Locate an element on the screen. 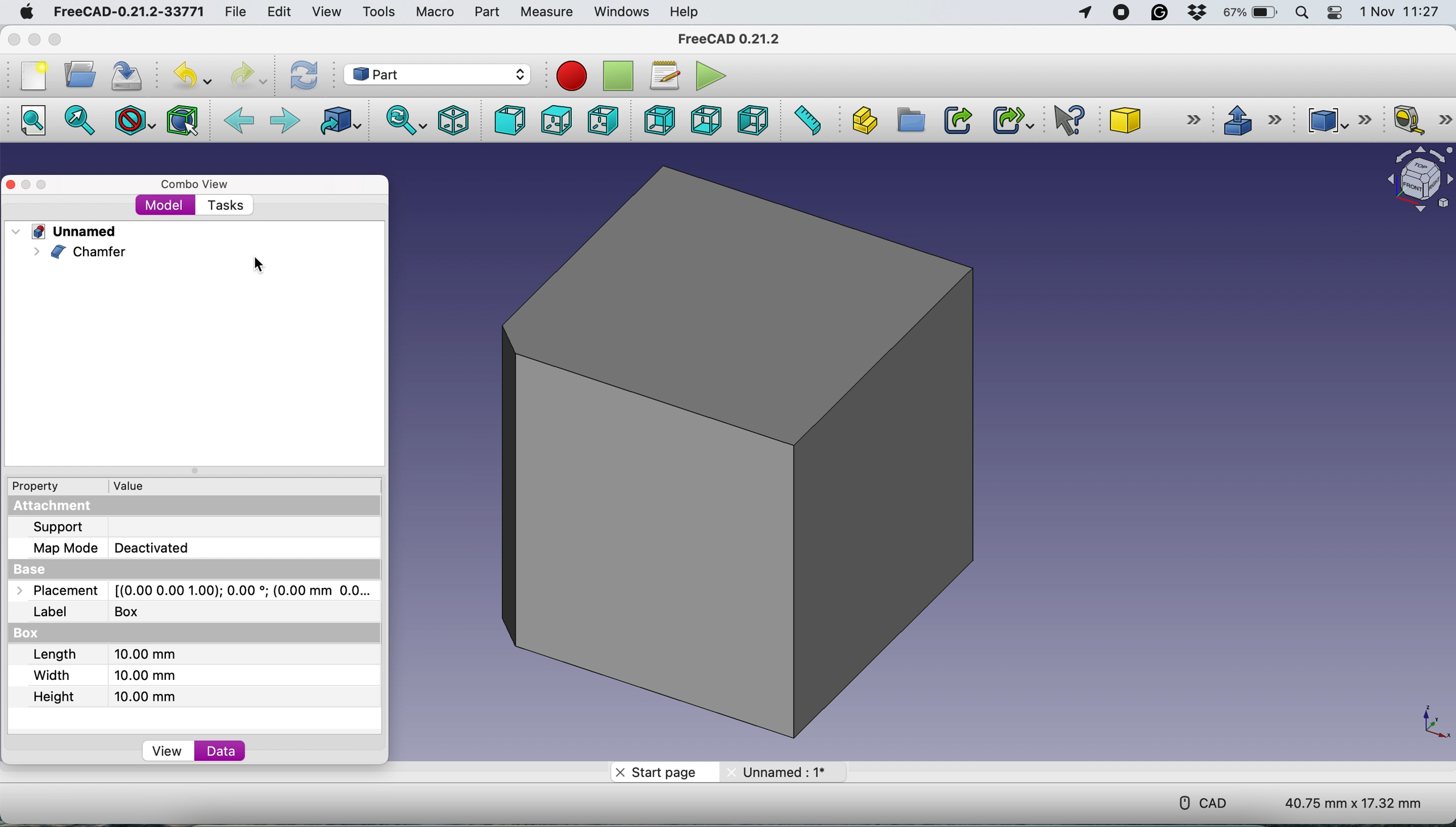  edit is located at coordinates (282, 13).